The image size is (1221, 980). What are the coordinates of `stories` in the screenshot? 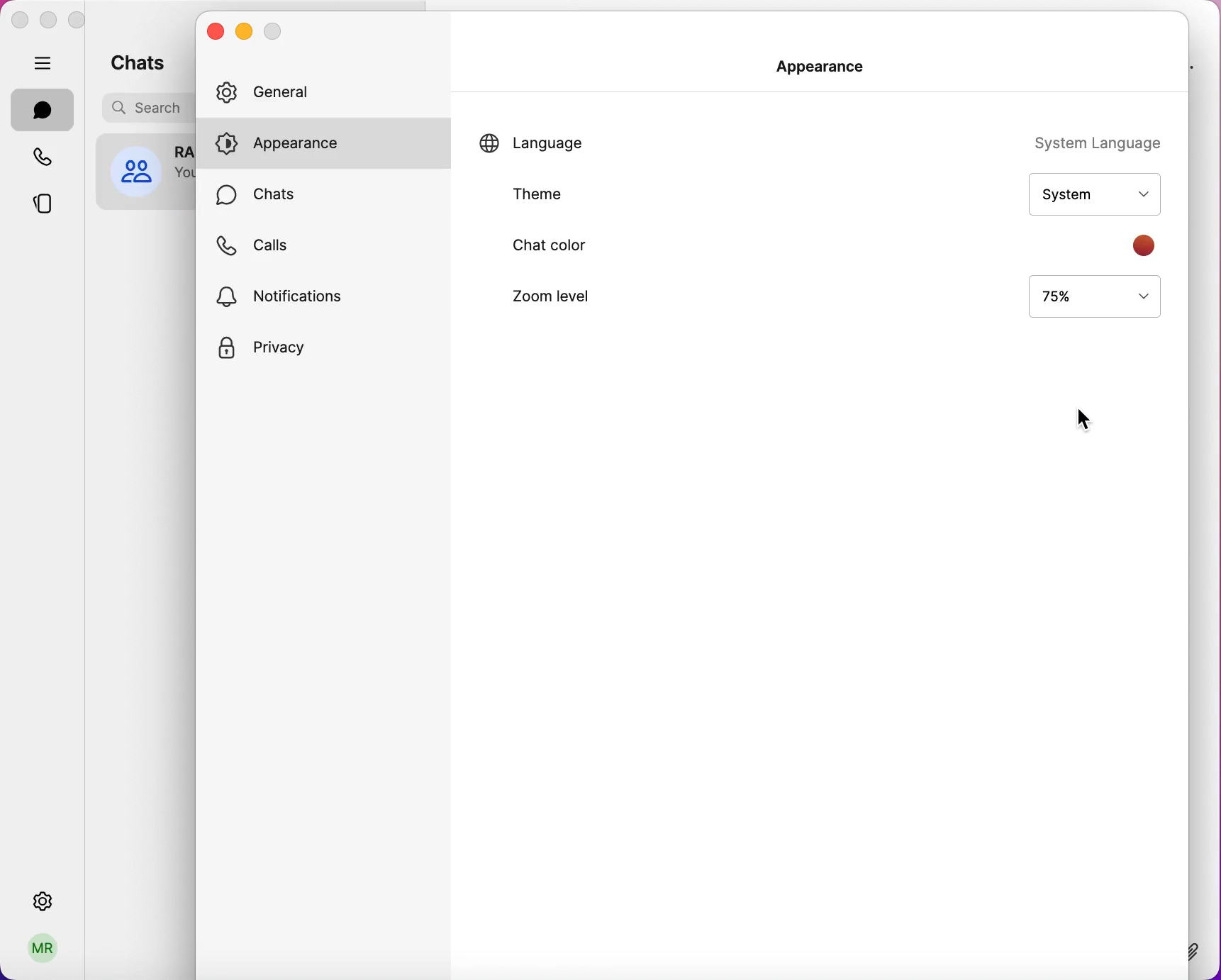 It's located at (40, 208).